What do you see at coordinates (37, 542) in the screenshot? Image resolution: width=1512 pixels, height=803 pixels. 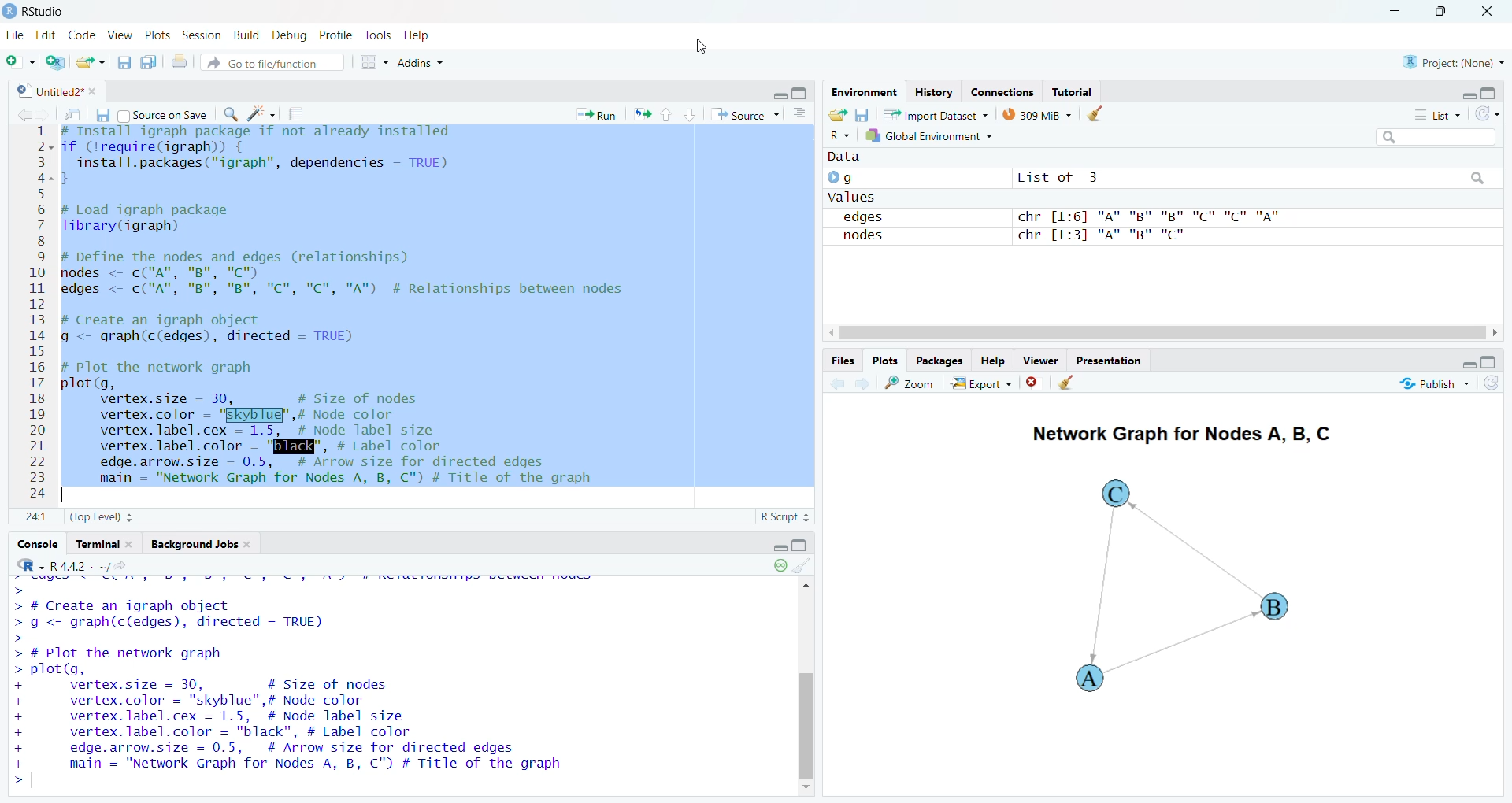 I see `‘Console` at bounding box center [37, 542].